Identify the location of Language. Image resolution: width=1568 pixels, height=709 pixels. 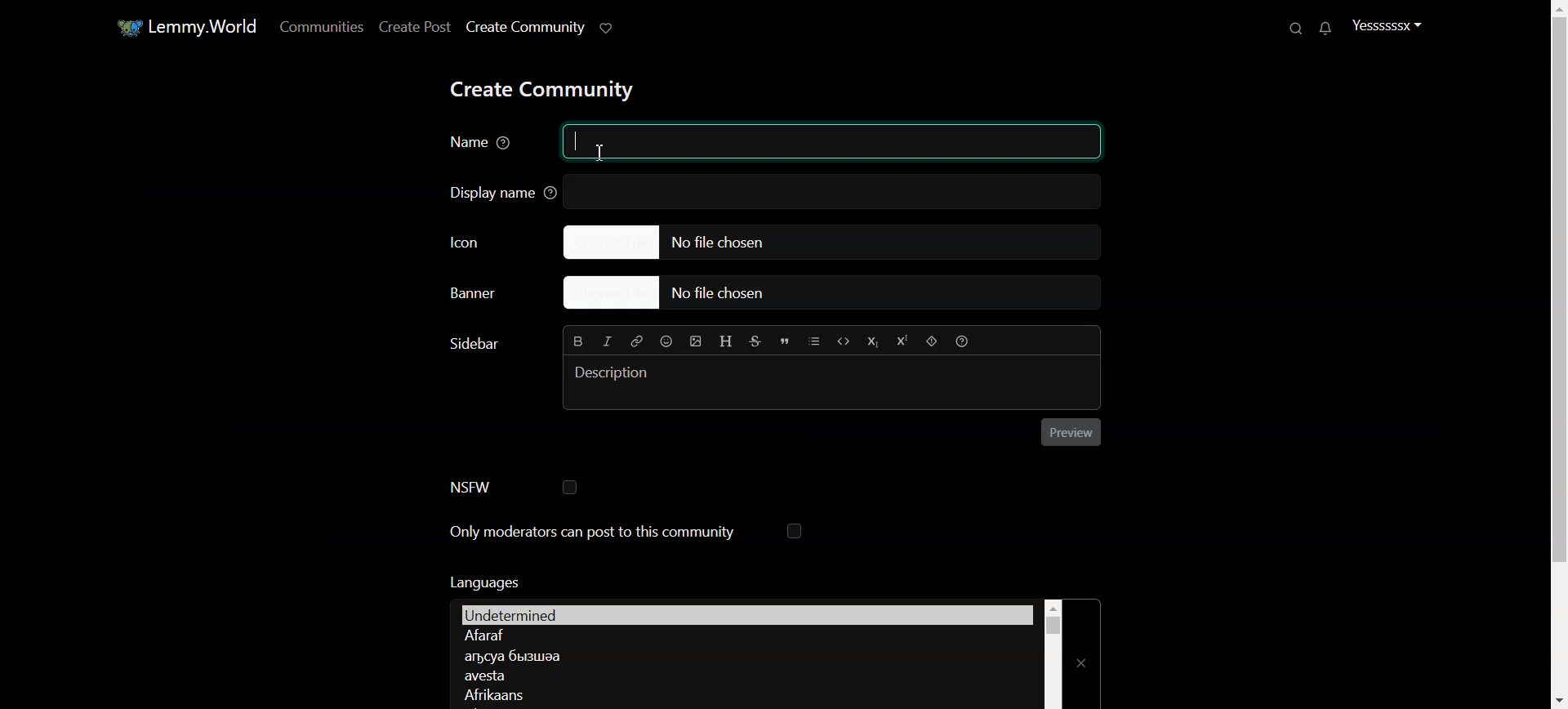
(742, 655).